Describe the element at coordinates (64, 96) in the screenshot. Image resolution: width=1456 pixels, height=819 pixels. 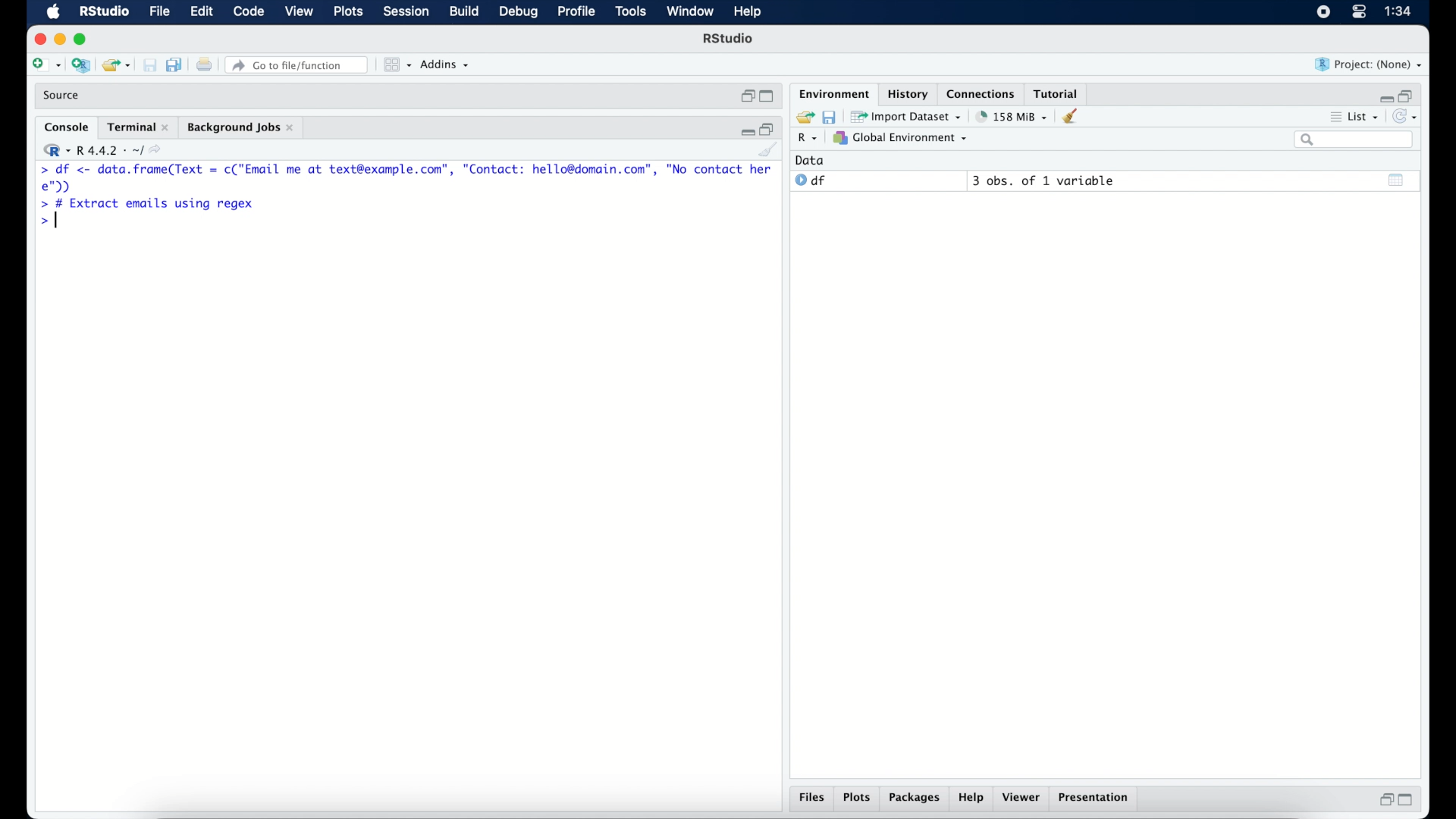
I see `source` at that location.